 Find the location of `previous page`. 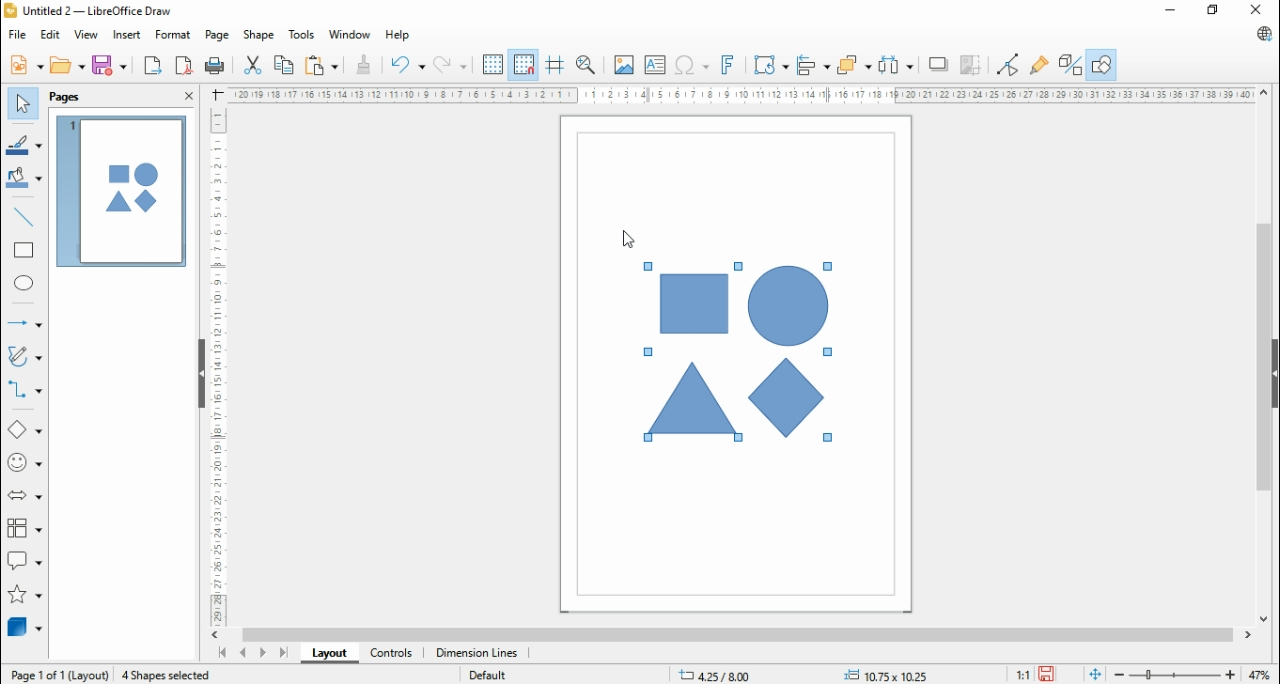

previous page is located at coordinates (243, 652).